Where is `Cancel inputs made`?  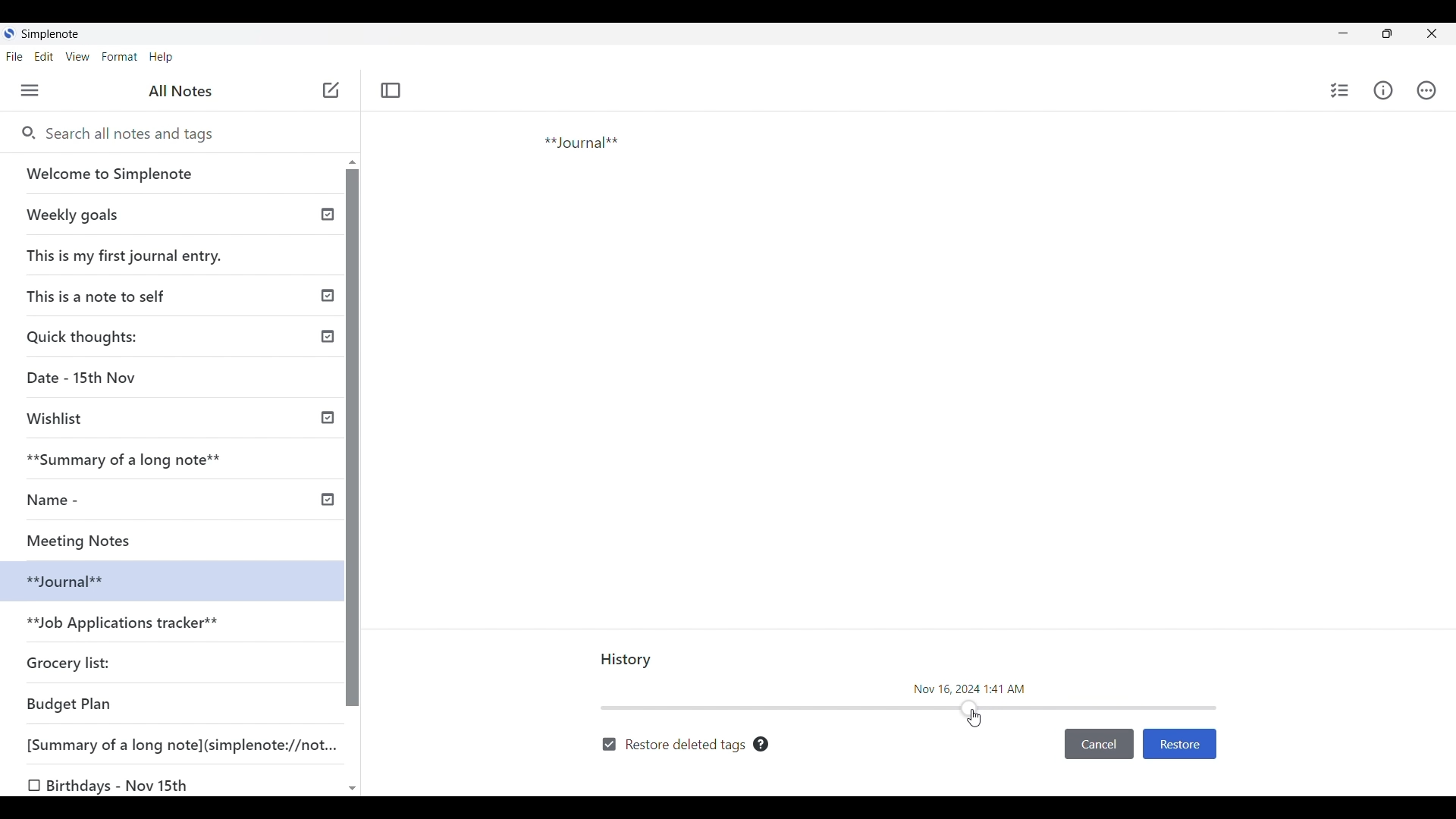 Cancel inputs made is located at coordinates (1099, 745).